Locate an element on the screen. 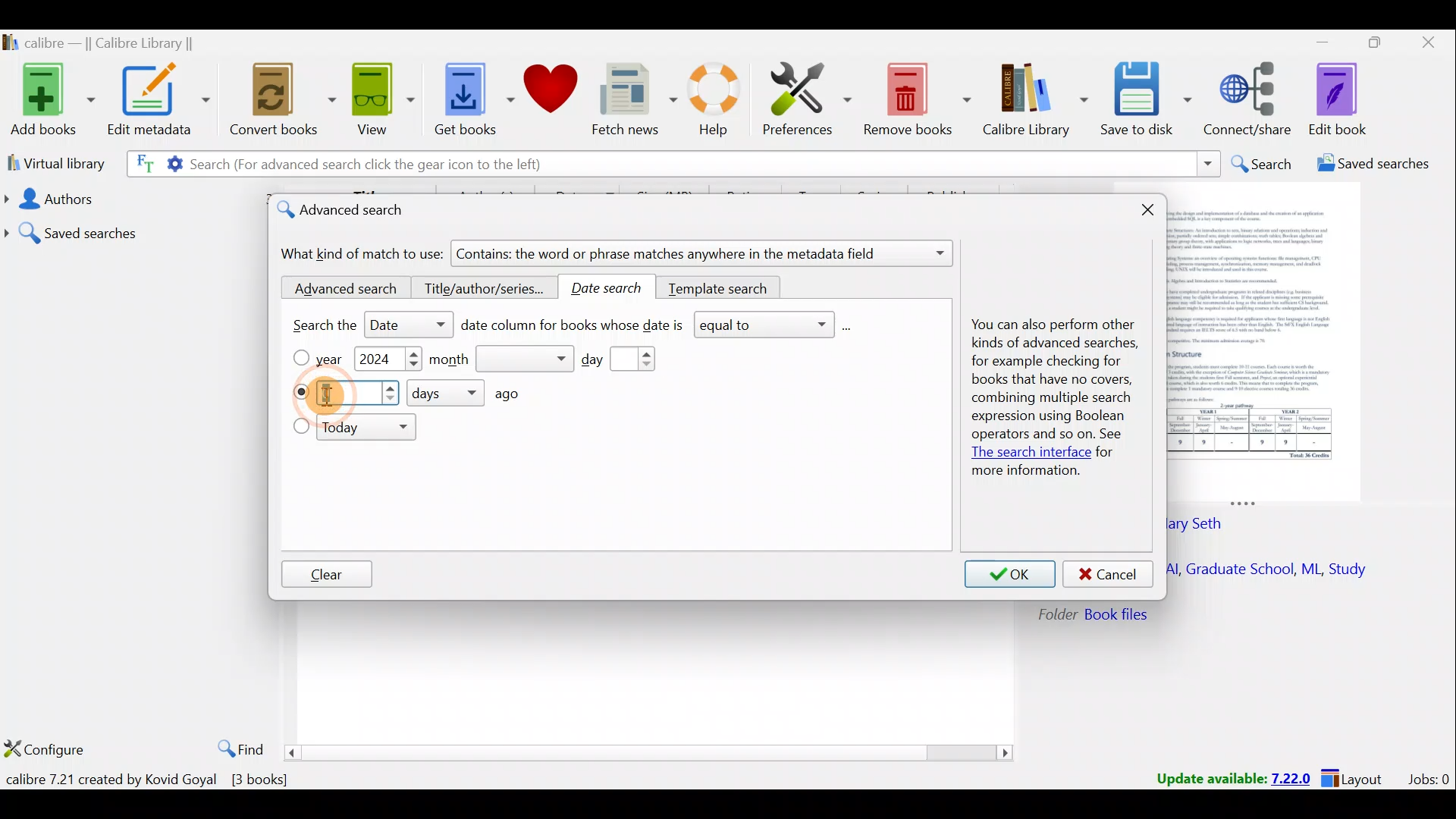 The image size is (1456, 819). Fetch news is located at coordinates (634, 100).